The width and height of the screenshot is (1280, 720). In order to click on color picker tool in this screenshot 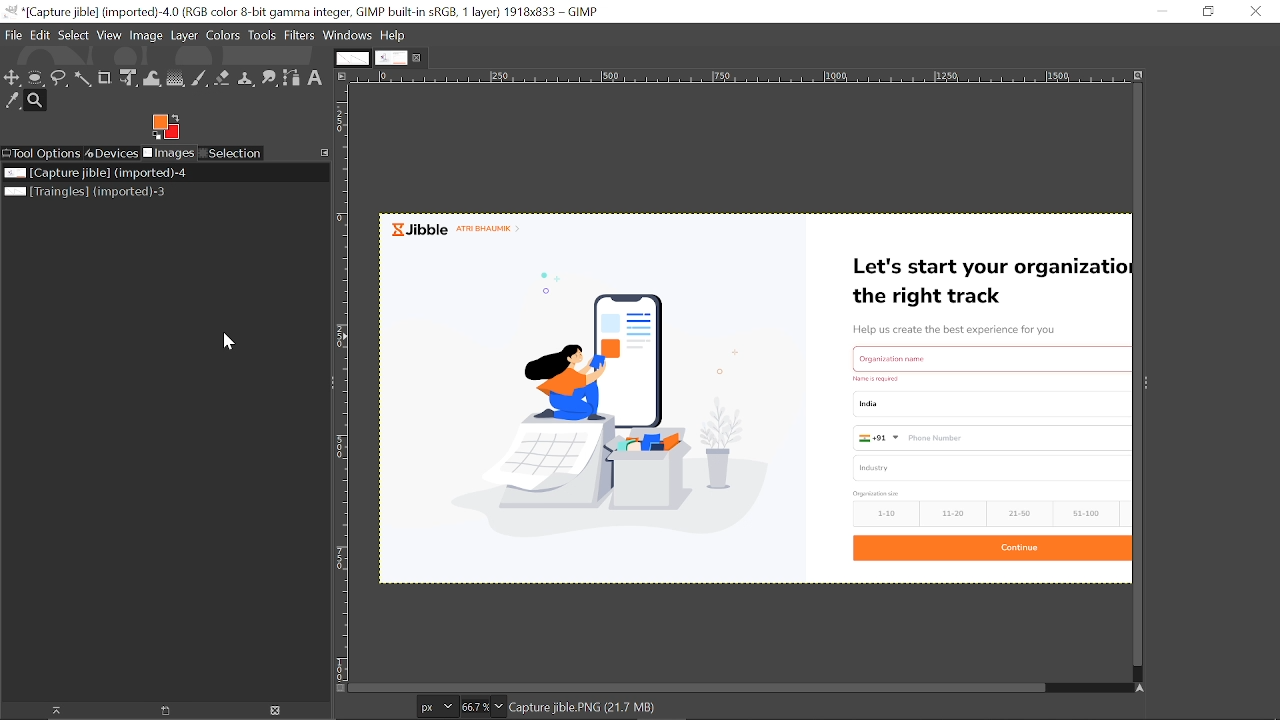, I will do `click(12, 100)`.